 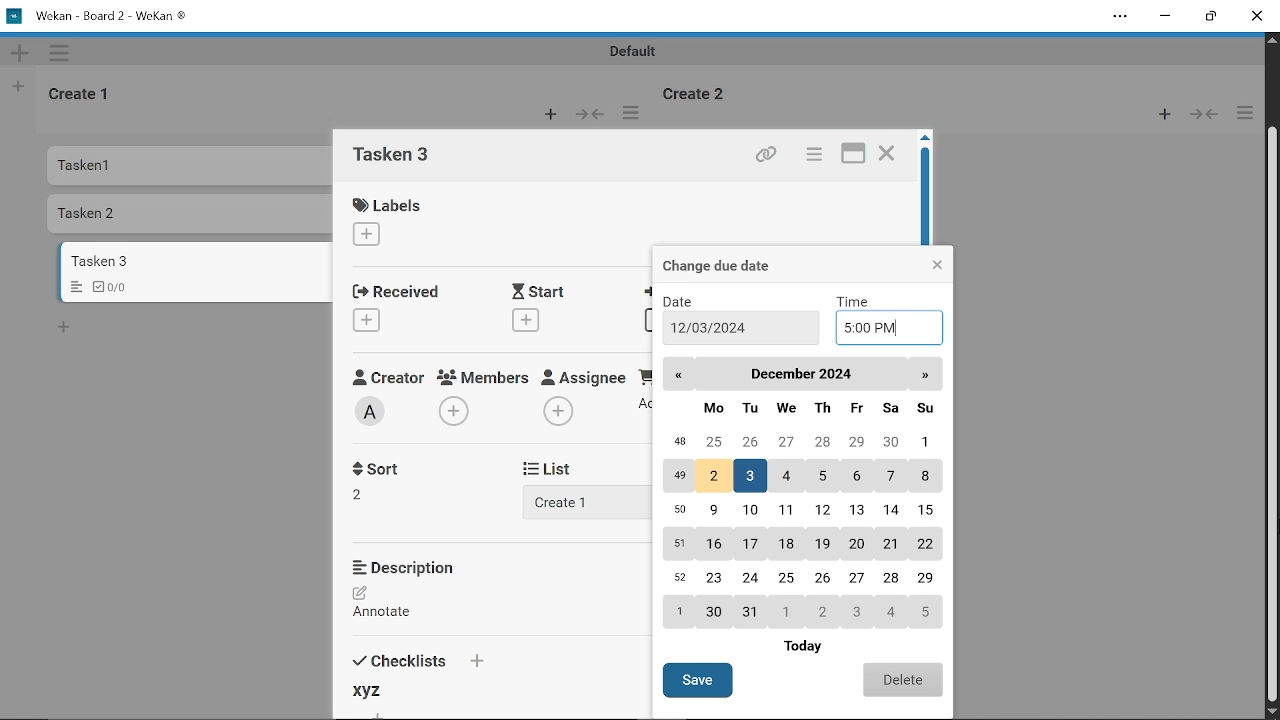 I want to click on Menu, so click(x=76, y=288).